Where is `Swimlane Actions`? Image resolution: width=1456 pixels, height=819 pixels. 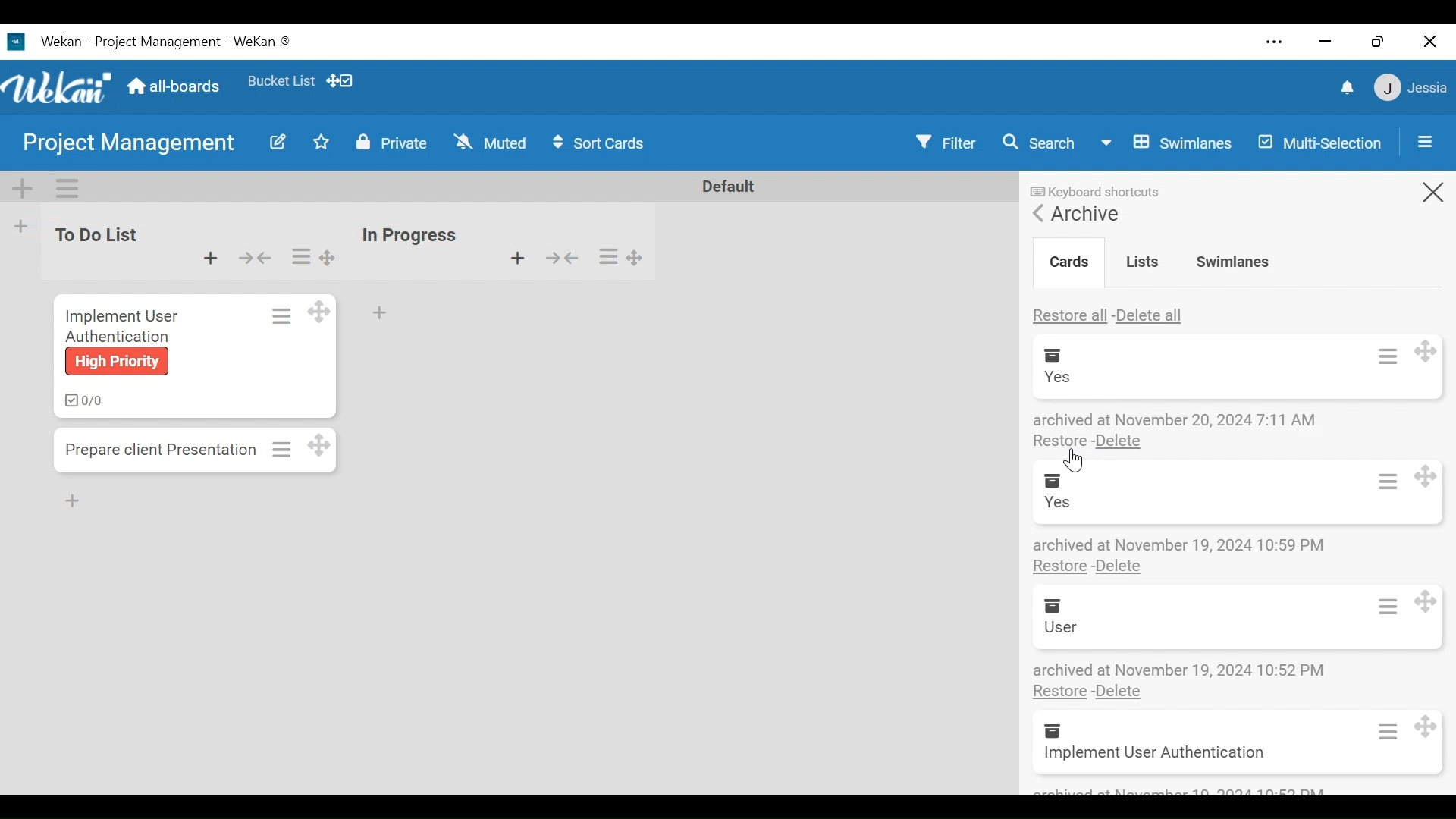
Swimlane Actions is located at coordinates (63, 188).